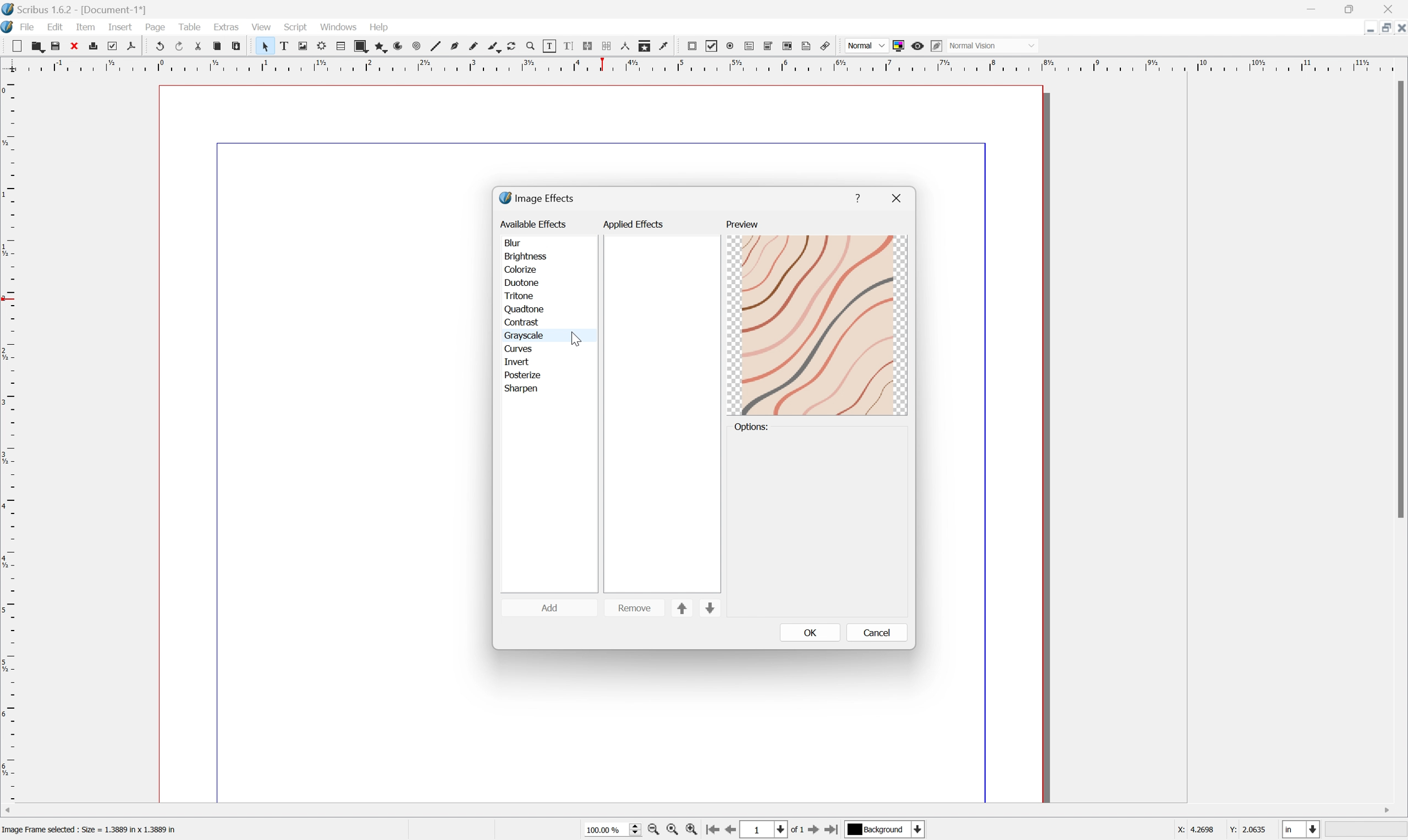 The width and height of the screenshot is (1408, 840). What do you see at coordinates (920, 48) in the screenshot?
I see `Preview mode` at bounding box center [920, 48].